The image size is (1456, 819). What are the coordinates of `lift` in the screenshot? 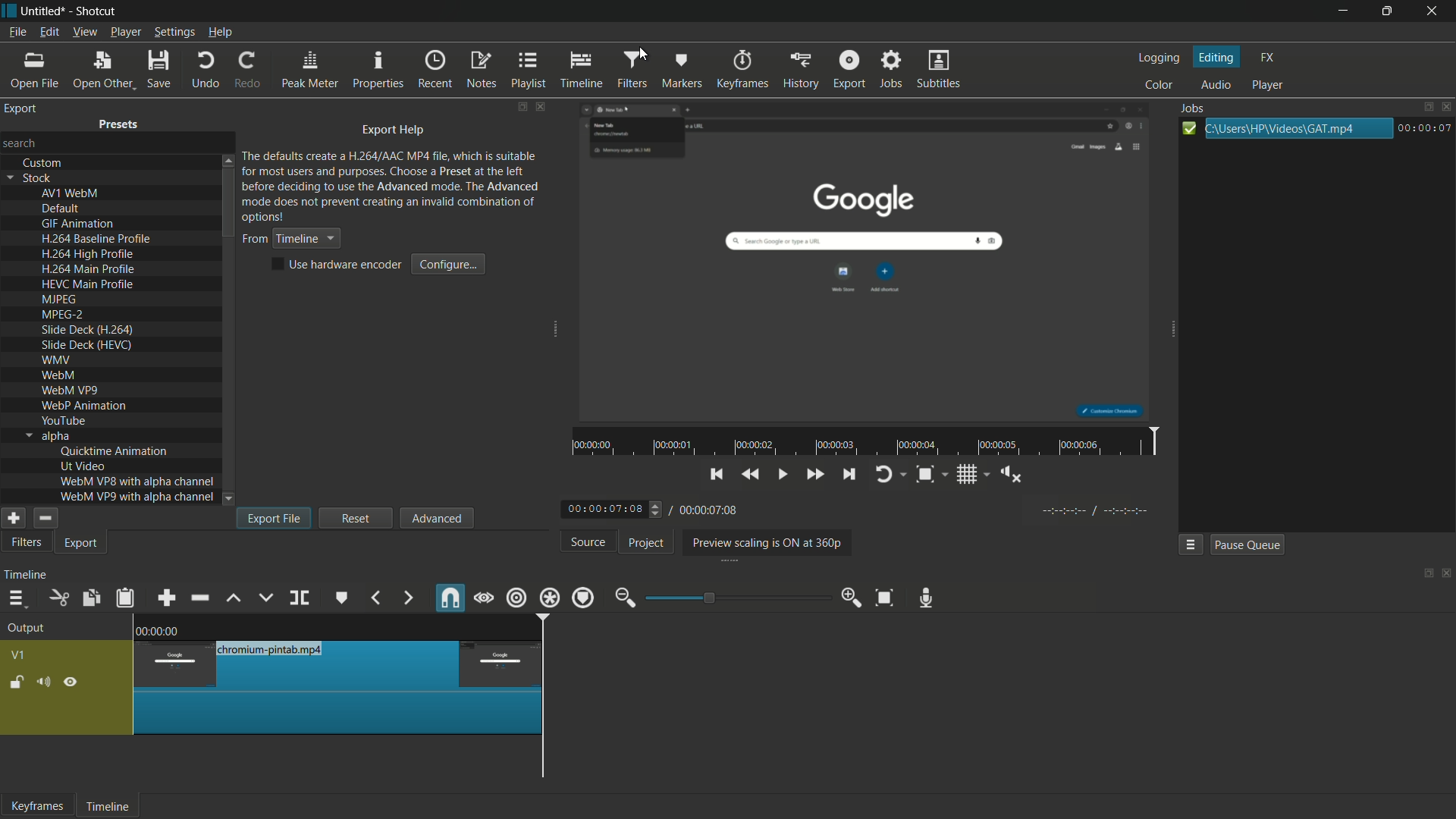 It's located at (235, 599).